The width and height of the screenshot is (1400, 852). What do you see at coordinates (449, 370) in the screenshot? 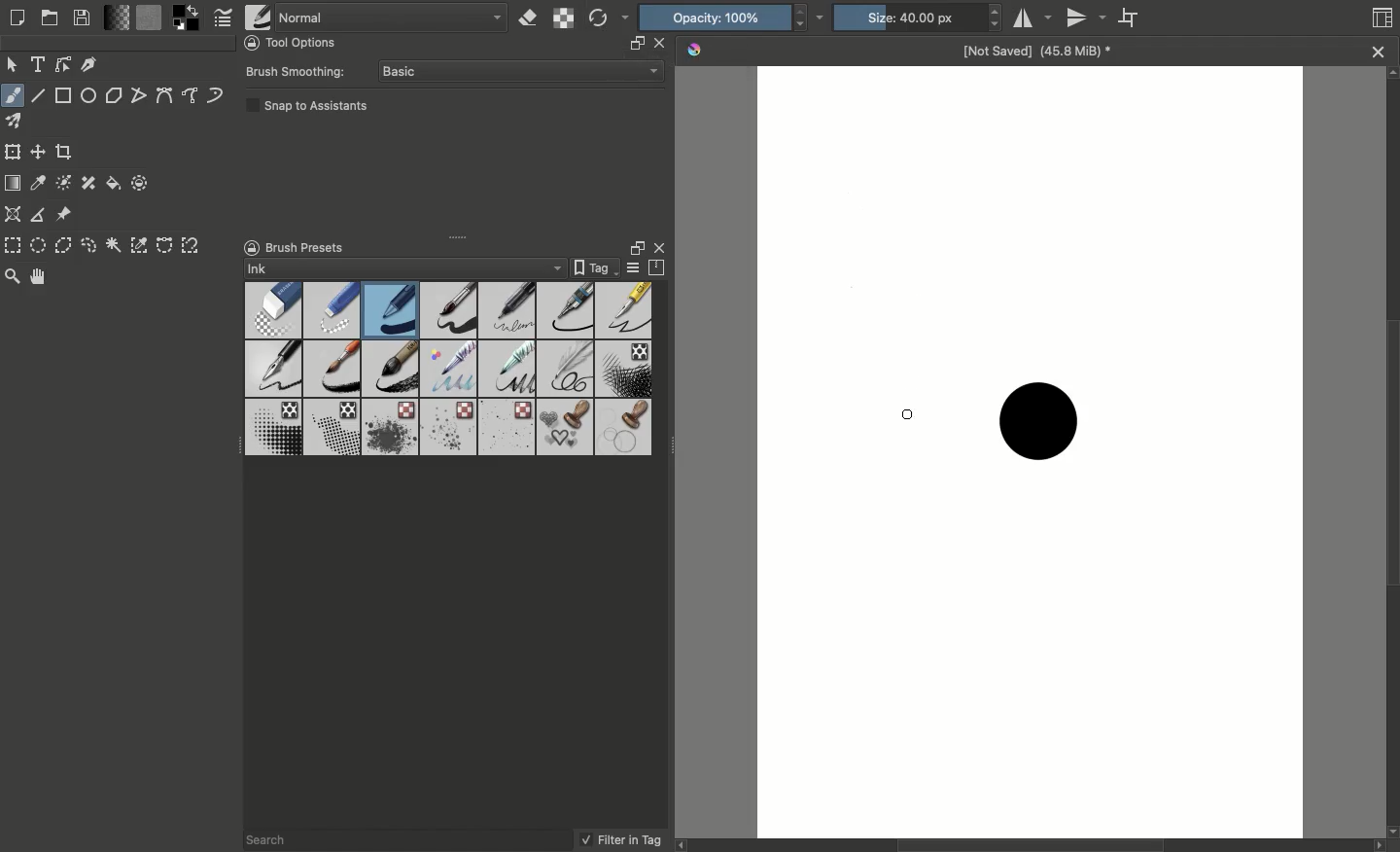
I see `Brushes` at bounding box center [449, 370].